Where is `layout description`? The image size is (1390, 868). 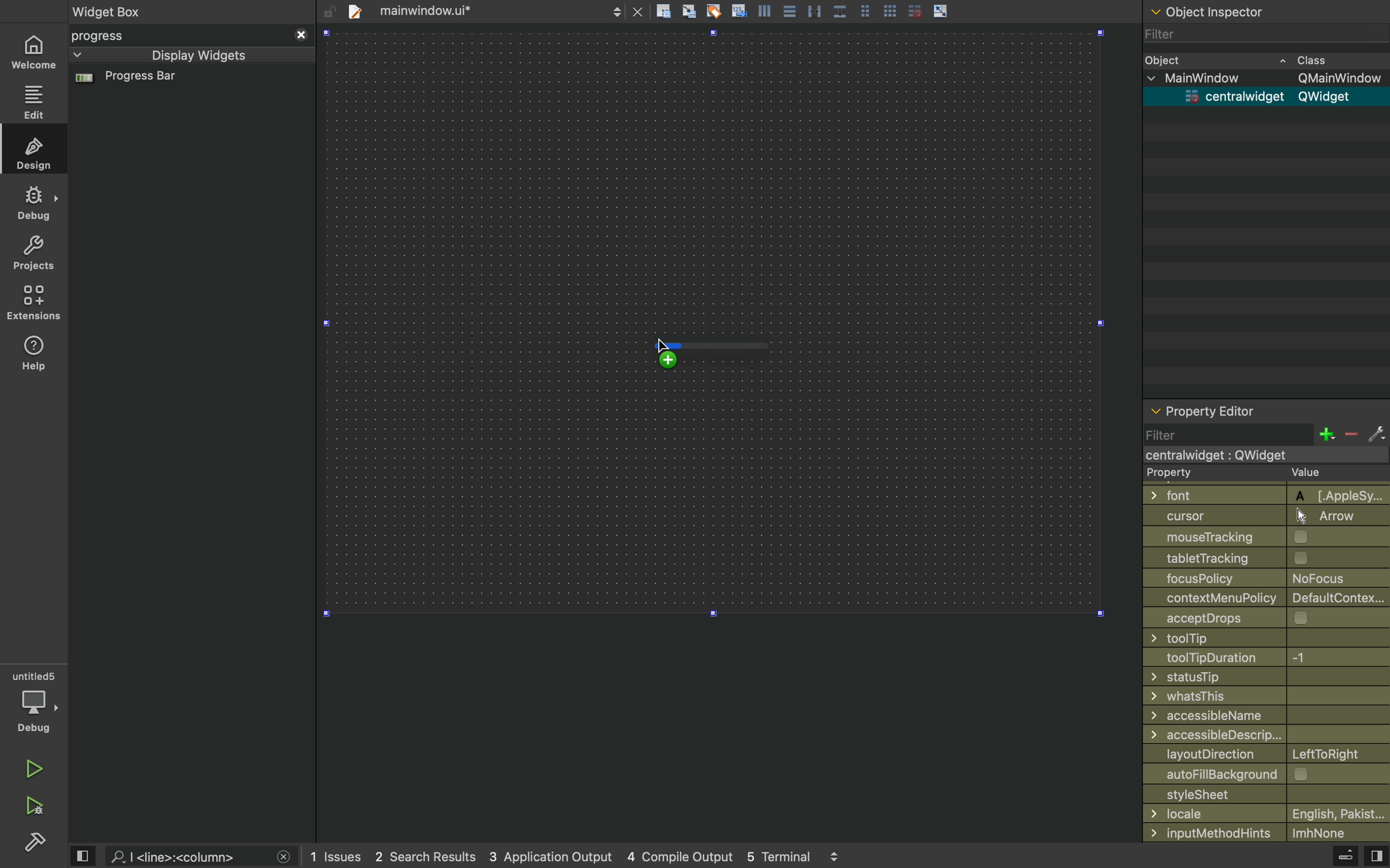 layout description is located at coordinates (1263, 754).